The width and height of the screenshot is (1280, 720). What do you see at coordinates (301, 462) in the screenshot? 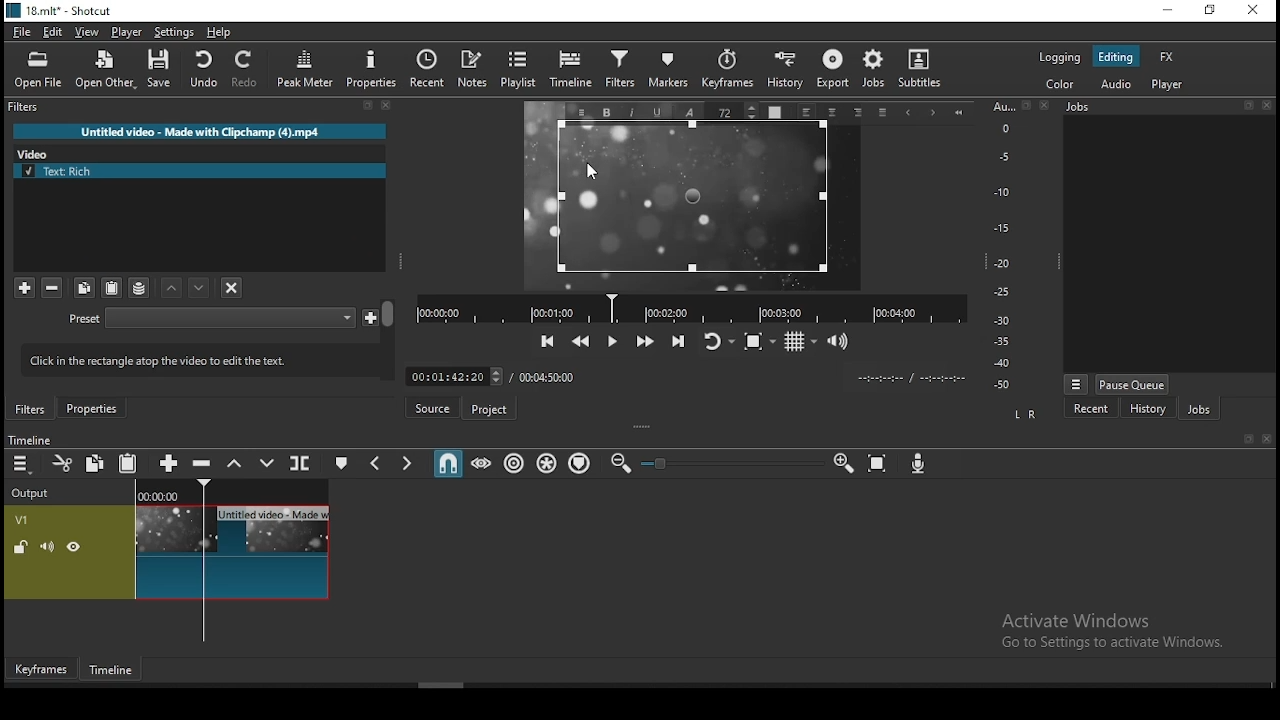
I see `split at playhead` at bounding box center [301, 462].